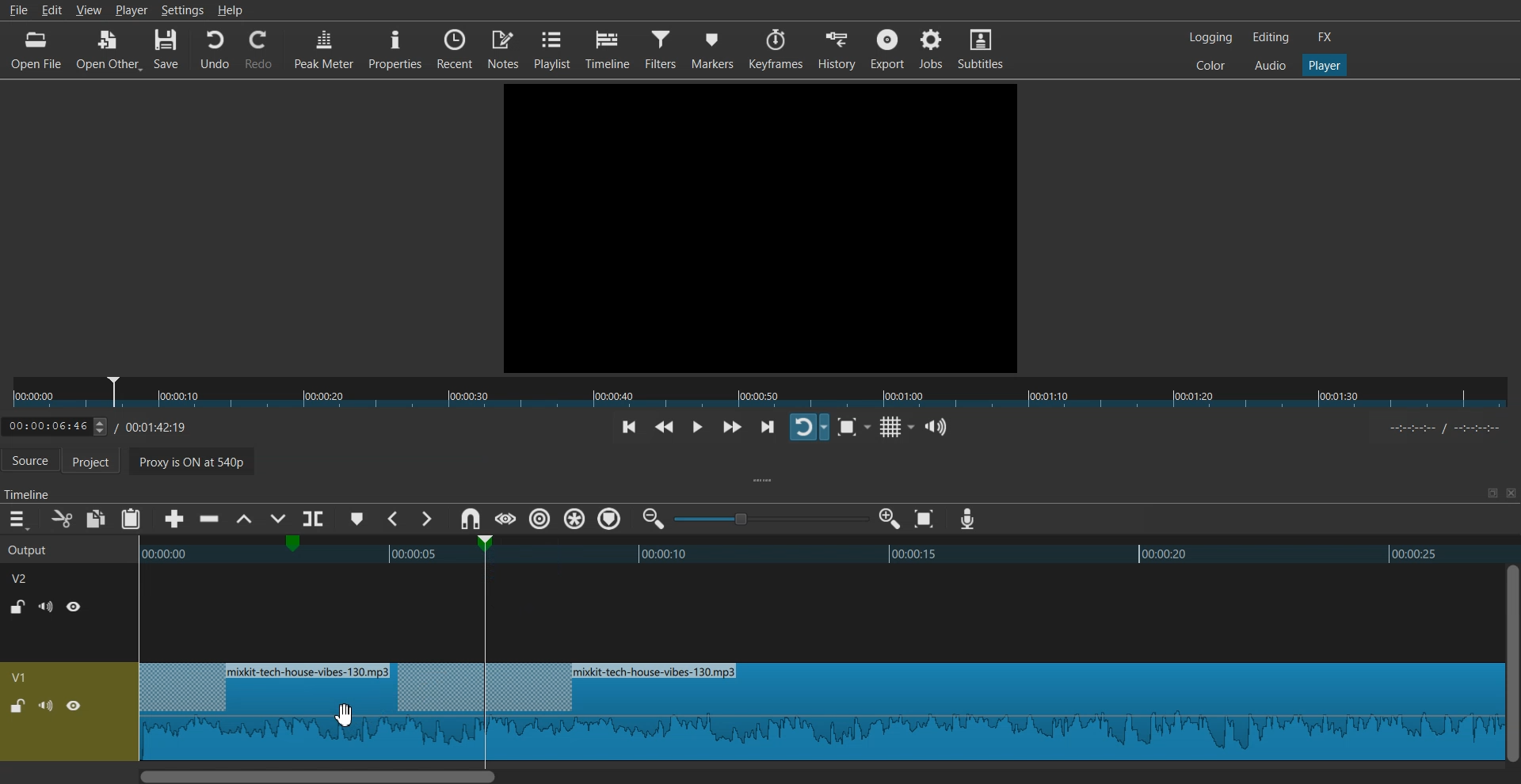 This screenshot has height=784, width=1521. I want to click on Toggle player lopping, so click(809, 427).